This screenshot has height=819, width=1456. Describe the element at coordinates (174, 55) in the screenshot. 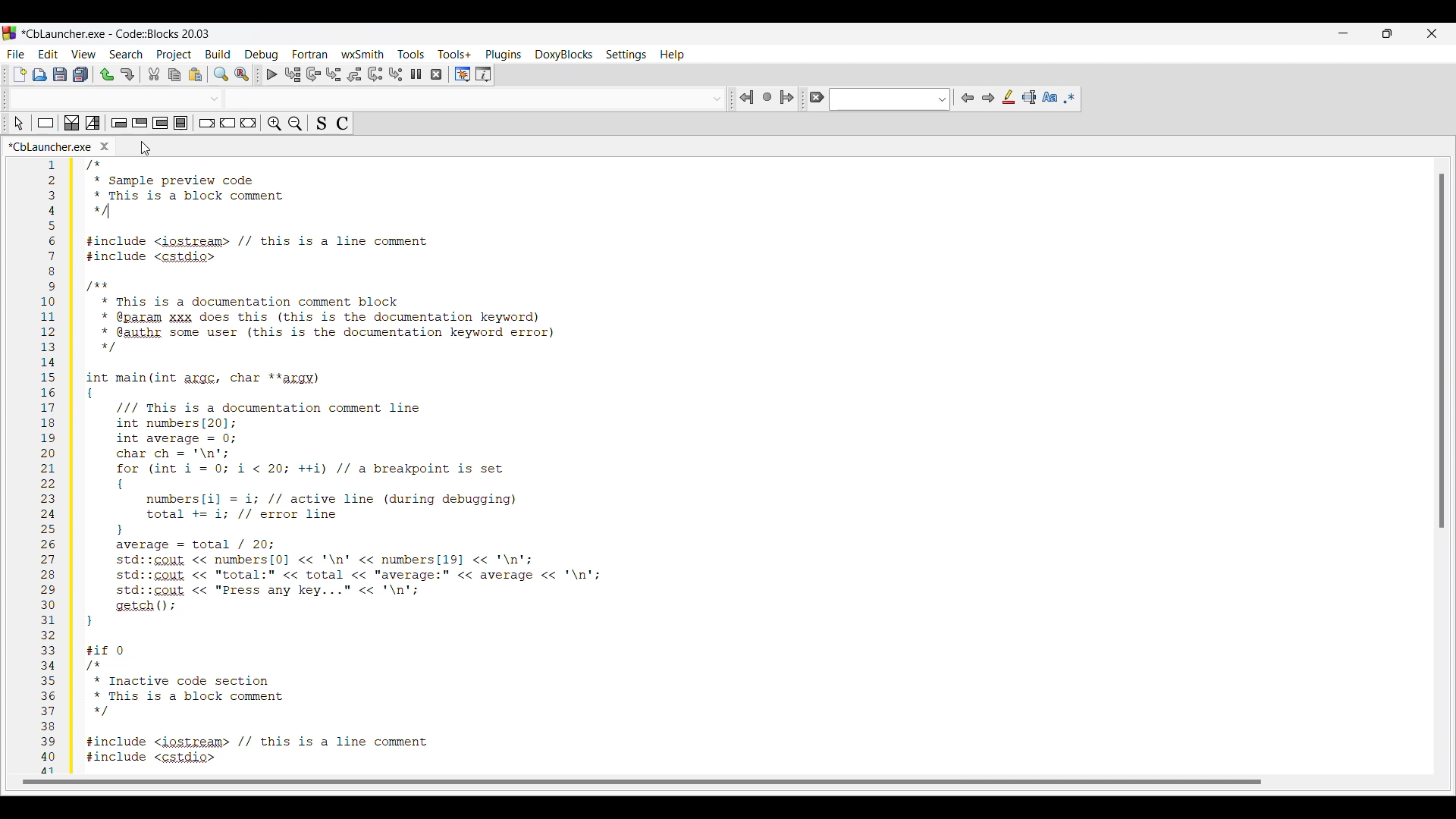

I see `Project menu` at that location.